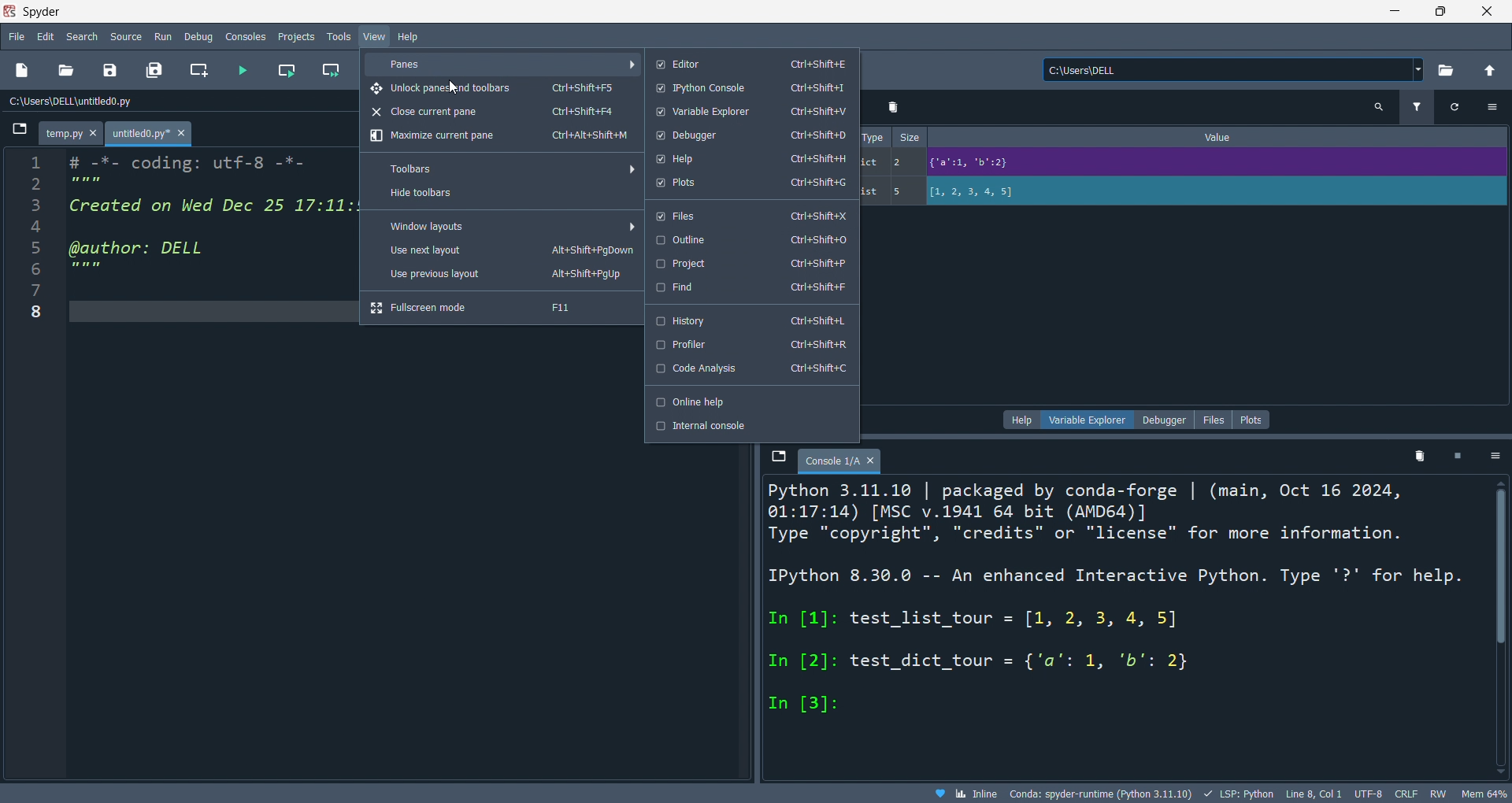 The width and height of the screenshot is (1512, 803). I want to click on Spyder, so click(682, 12).